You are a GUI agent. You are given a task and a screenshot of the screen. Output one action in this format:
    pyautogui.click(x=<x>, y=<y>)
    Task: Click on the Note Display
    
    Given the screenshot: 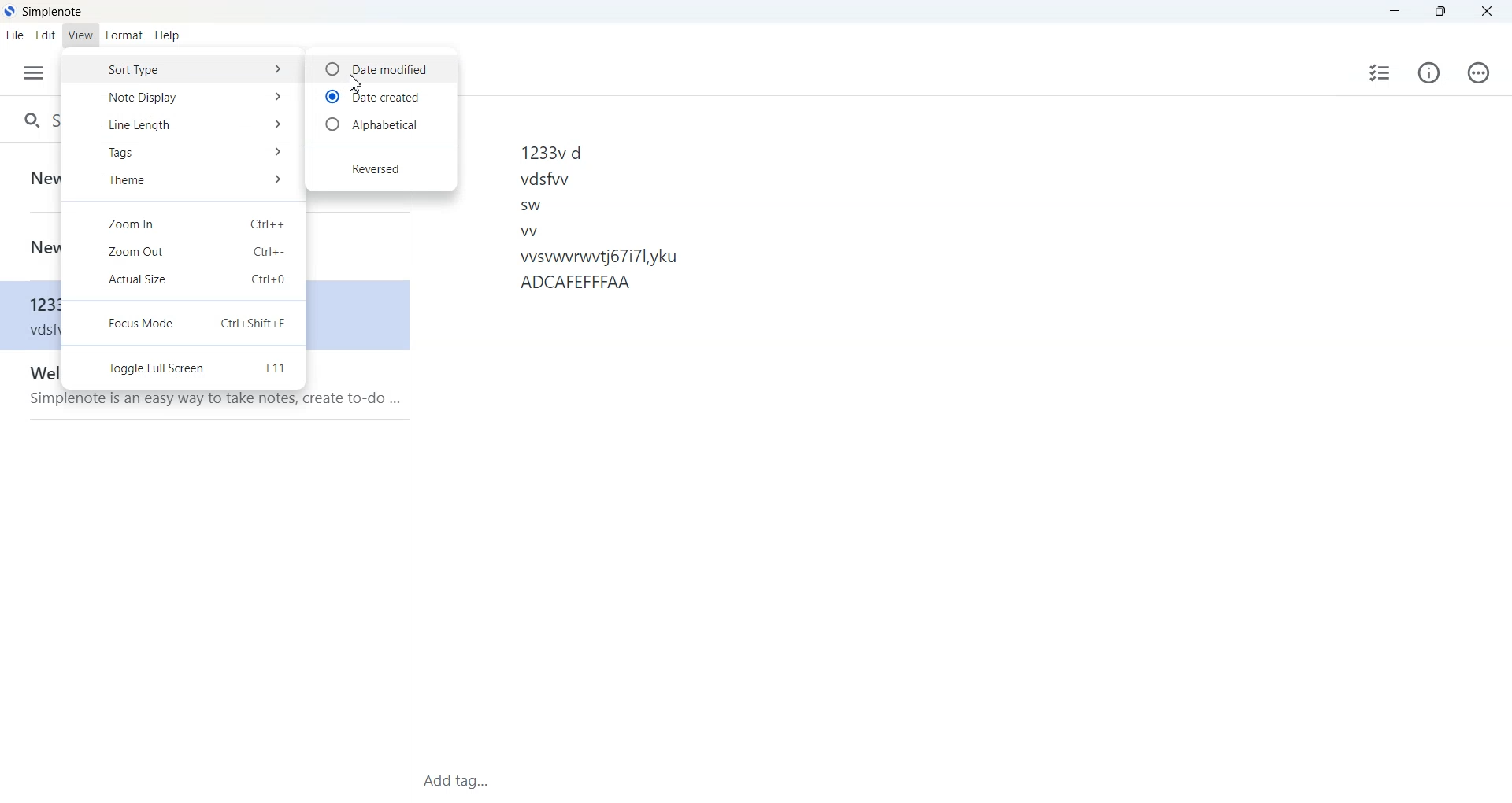 What is the action you would take?
    pyautogui.click(x=183, y=97)
    